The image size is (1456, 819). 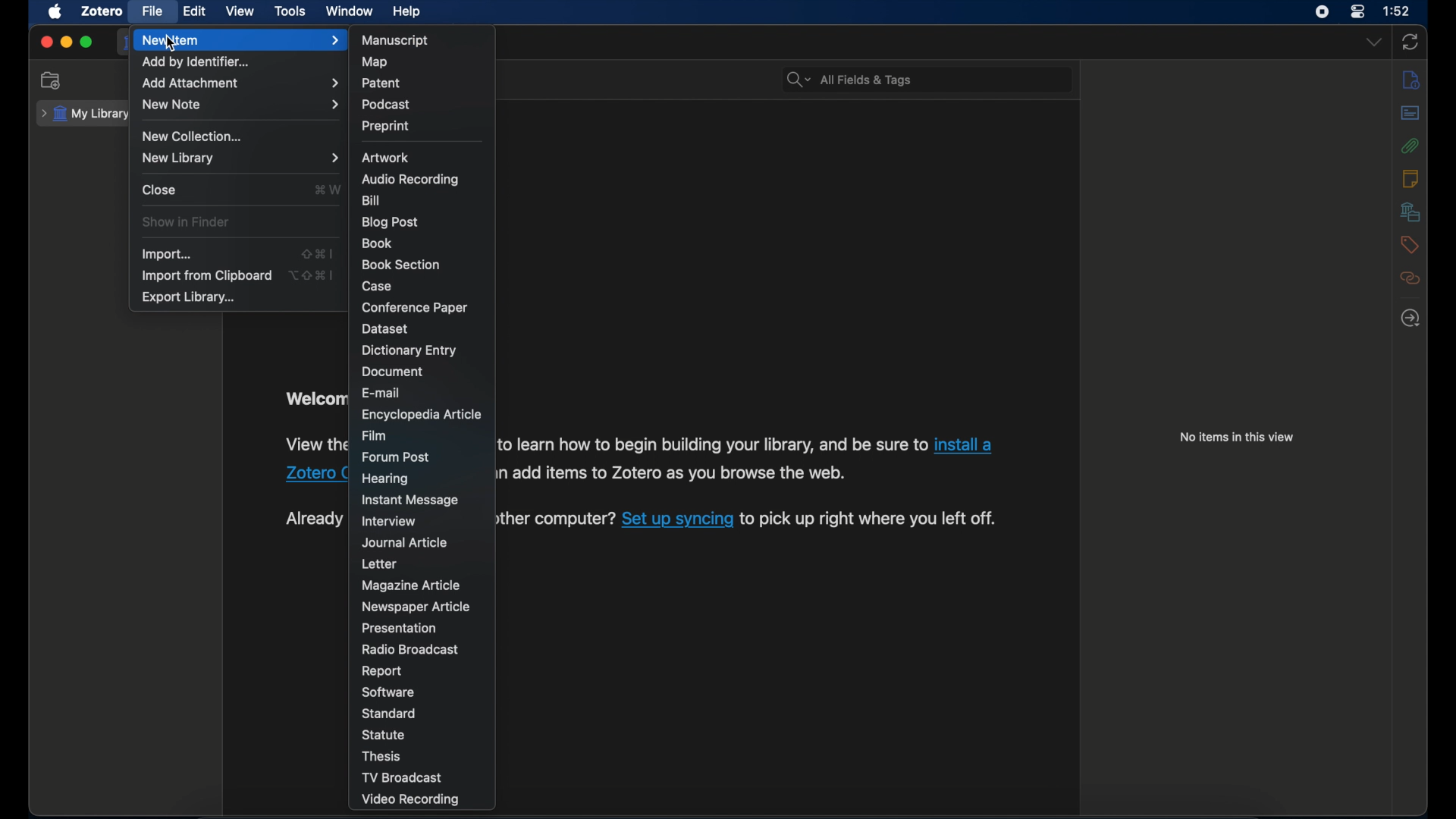 I want to click on attachments, so click(x=1410, y=146).